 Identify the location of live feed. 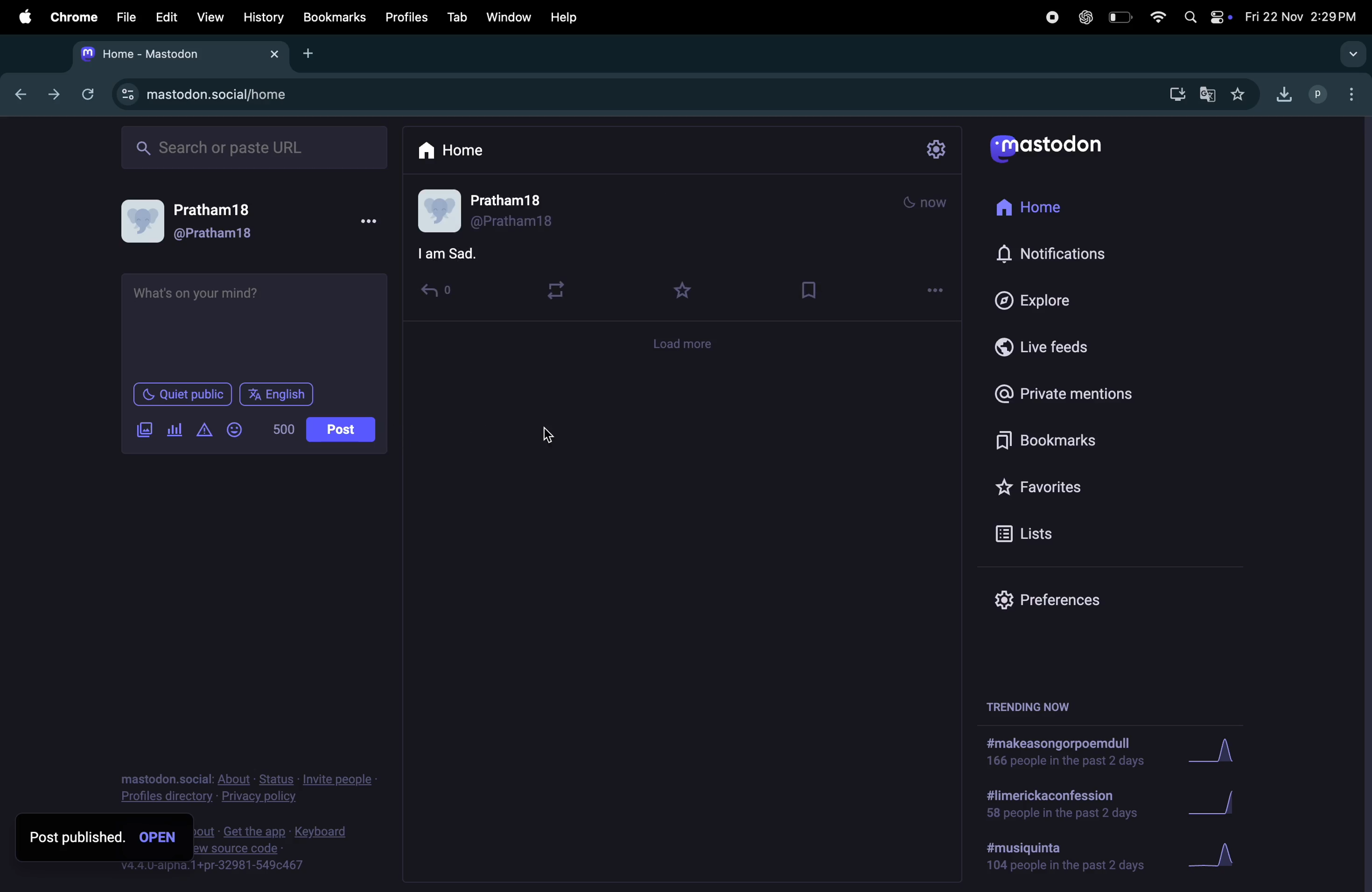
(1060, 345).